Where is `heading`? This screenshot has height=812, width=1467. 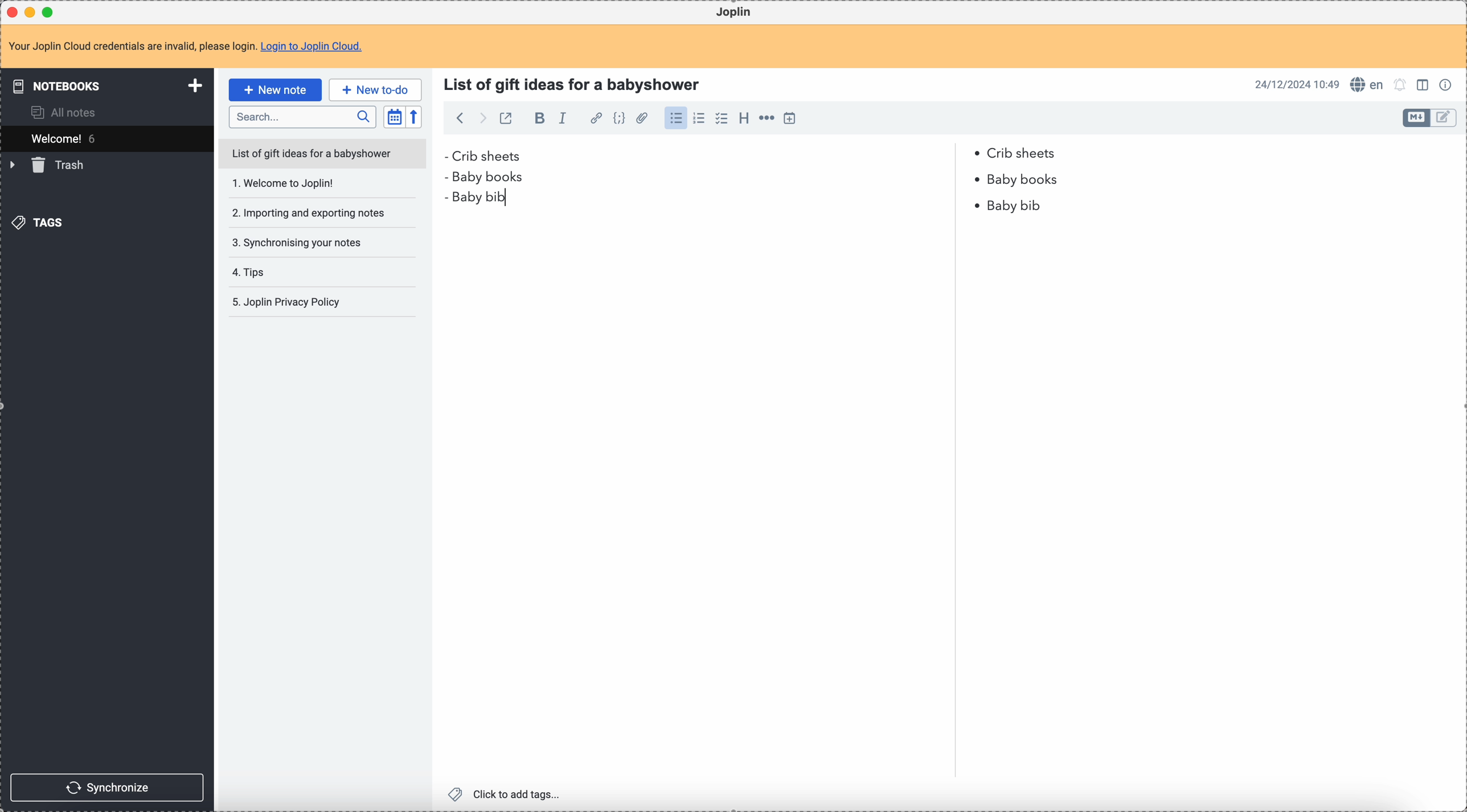 heading is located at coordinates (744, 121).